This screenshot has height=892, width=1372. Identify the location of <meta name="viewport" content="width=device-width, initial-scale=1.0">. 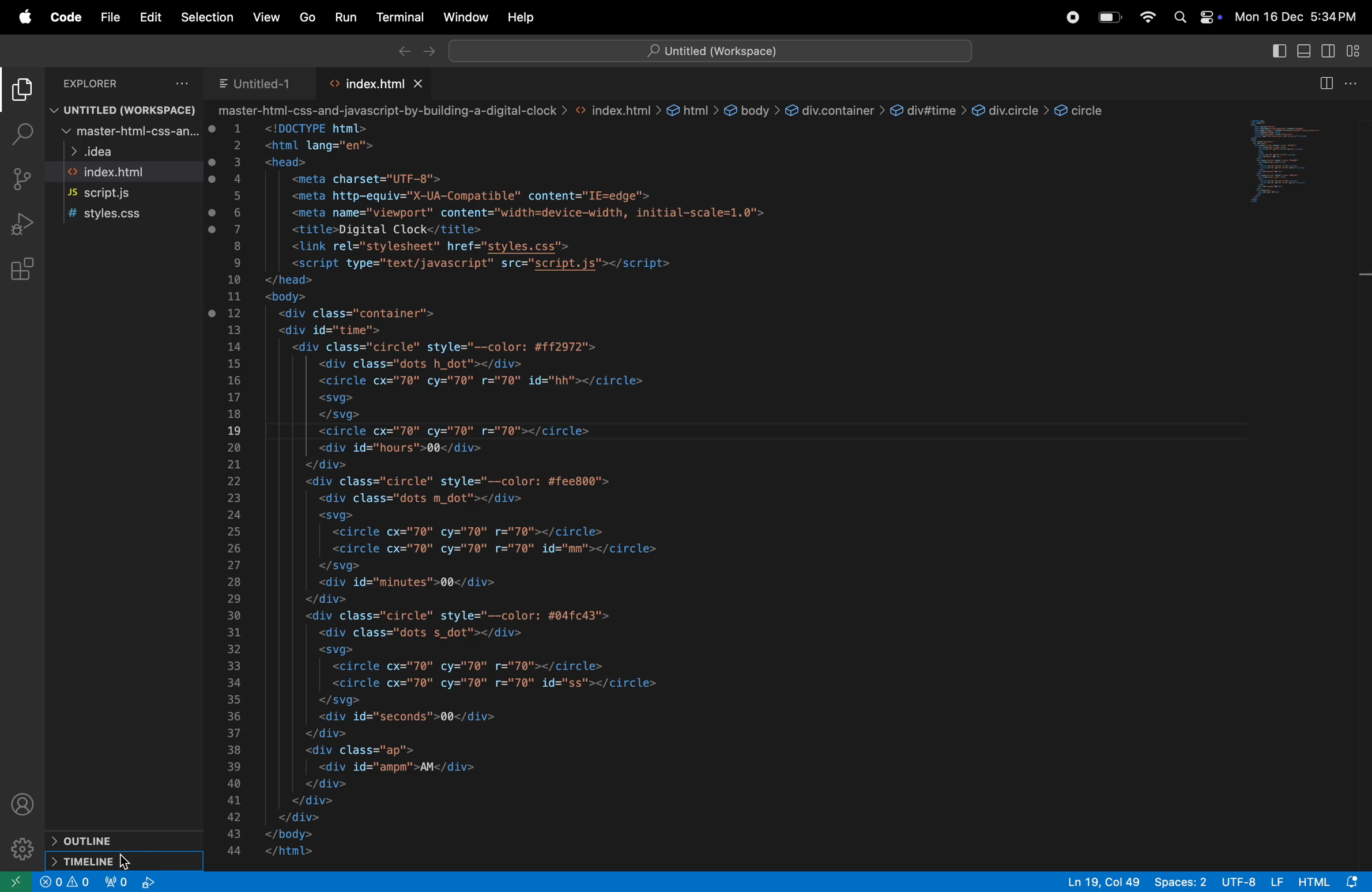
(526, 212).